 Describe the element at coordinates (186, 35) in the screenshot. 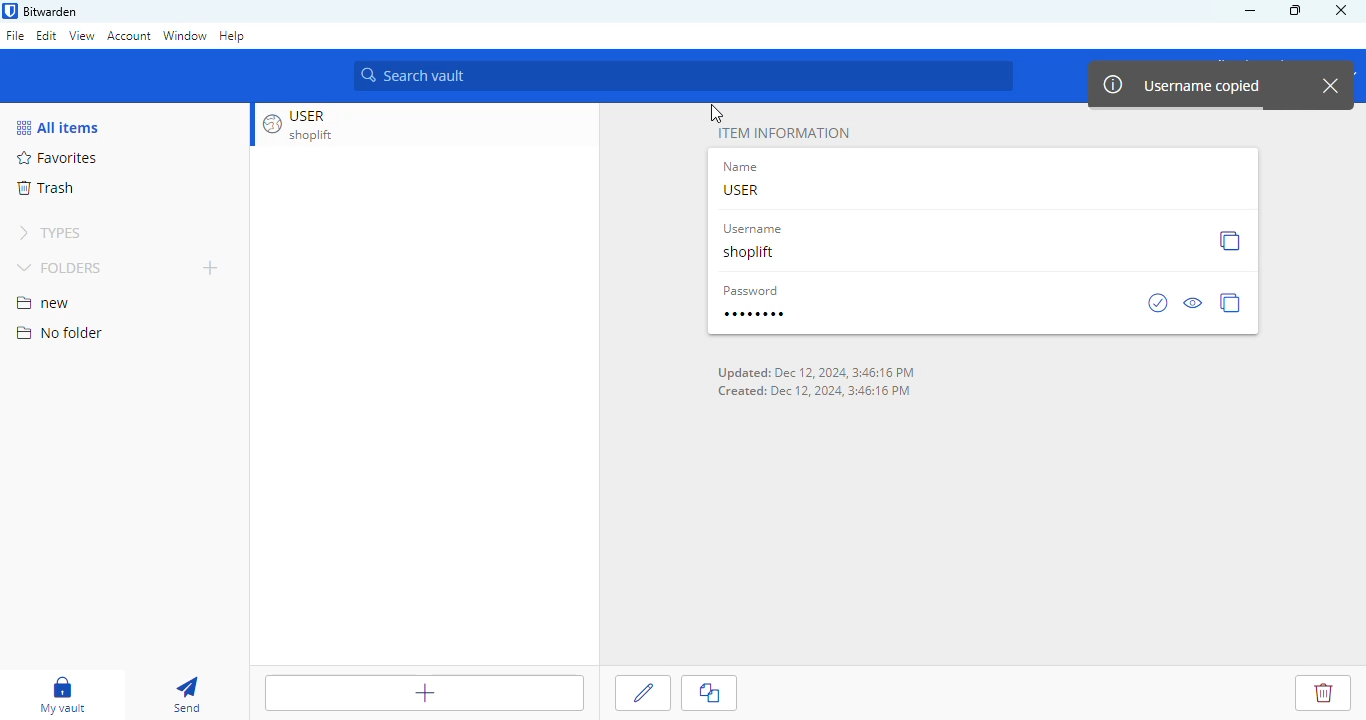

I see `window` at that location.